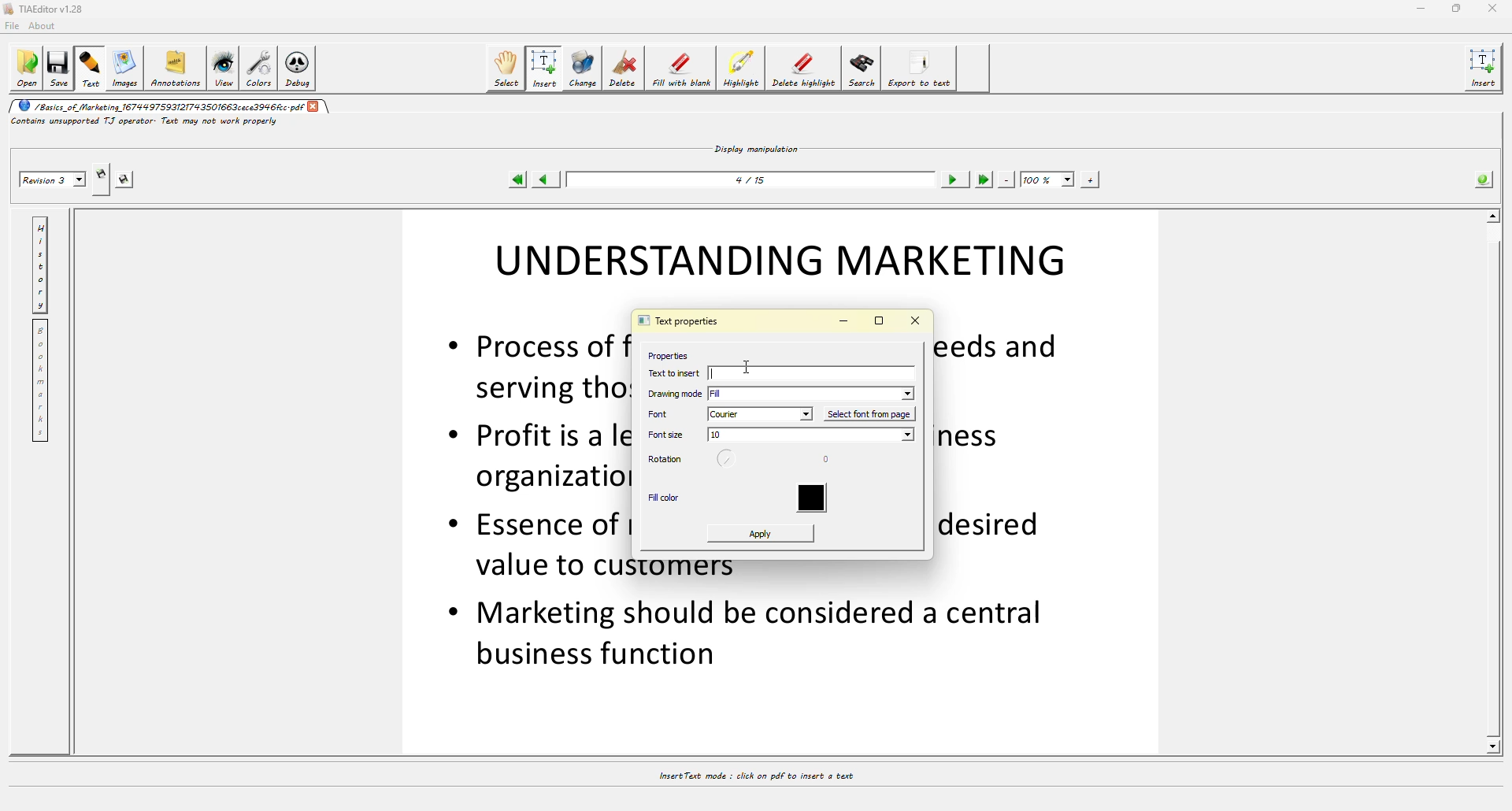  I want to click on save, so click(61, 69).